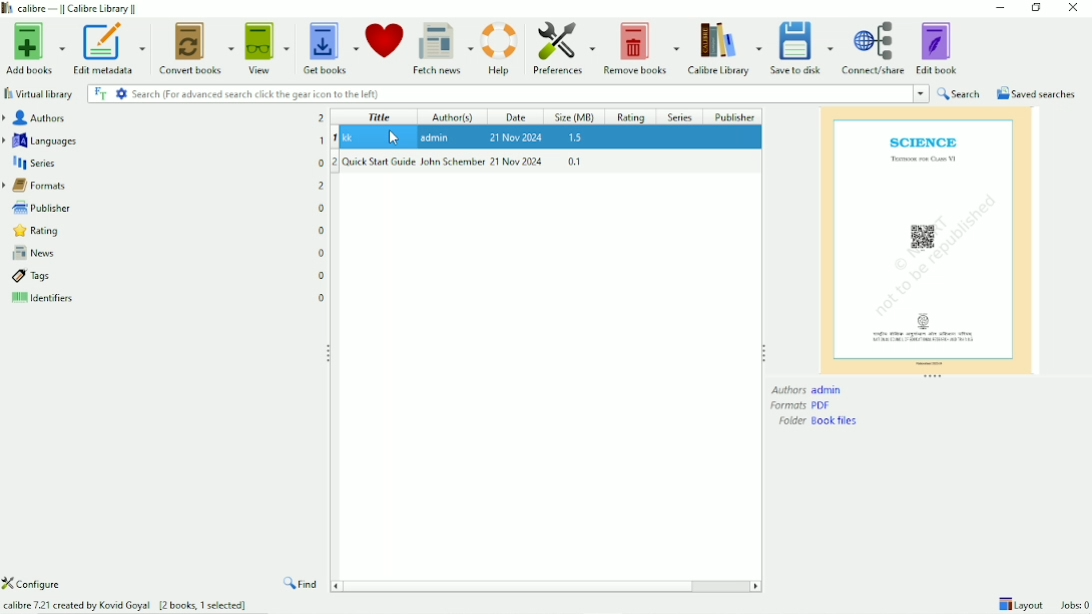  I want to click on Save to disk, so click(802, 48).